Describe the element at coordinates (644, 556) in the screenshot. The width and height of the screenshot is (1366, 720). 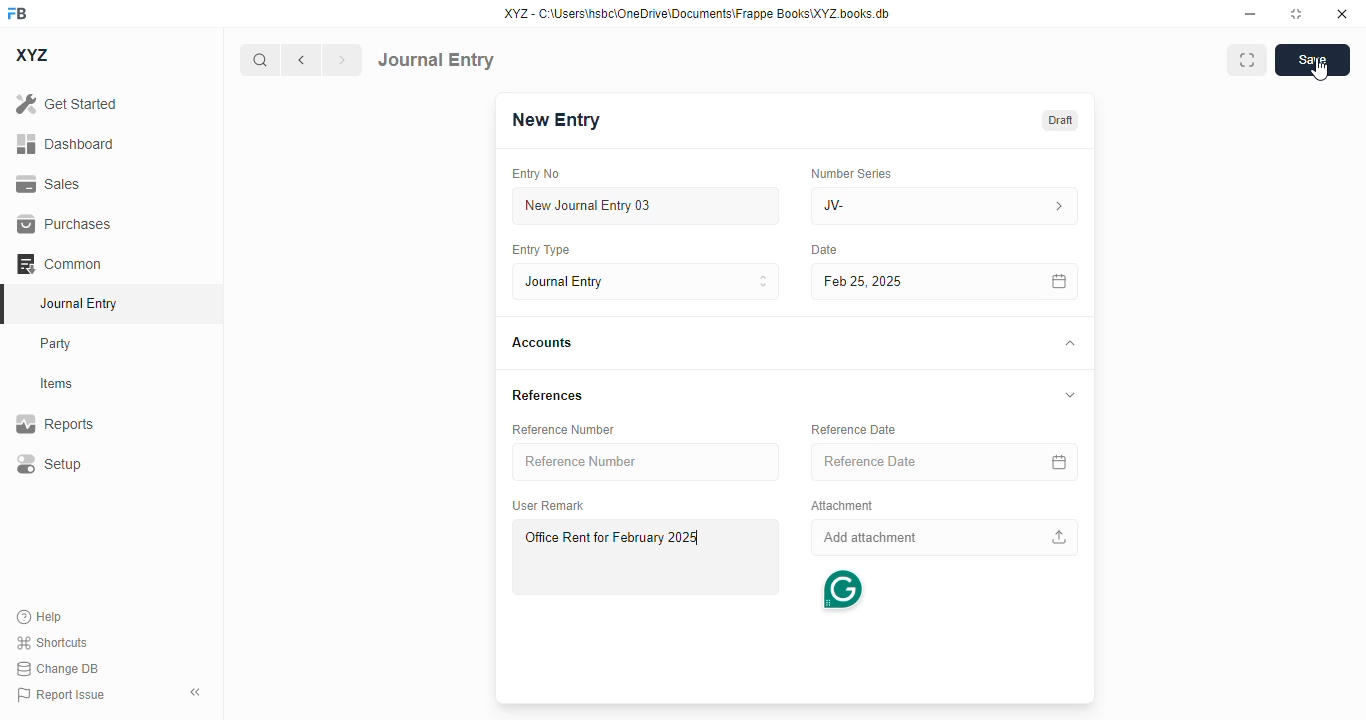
I see `Office rent for February 2025` at that location.